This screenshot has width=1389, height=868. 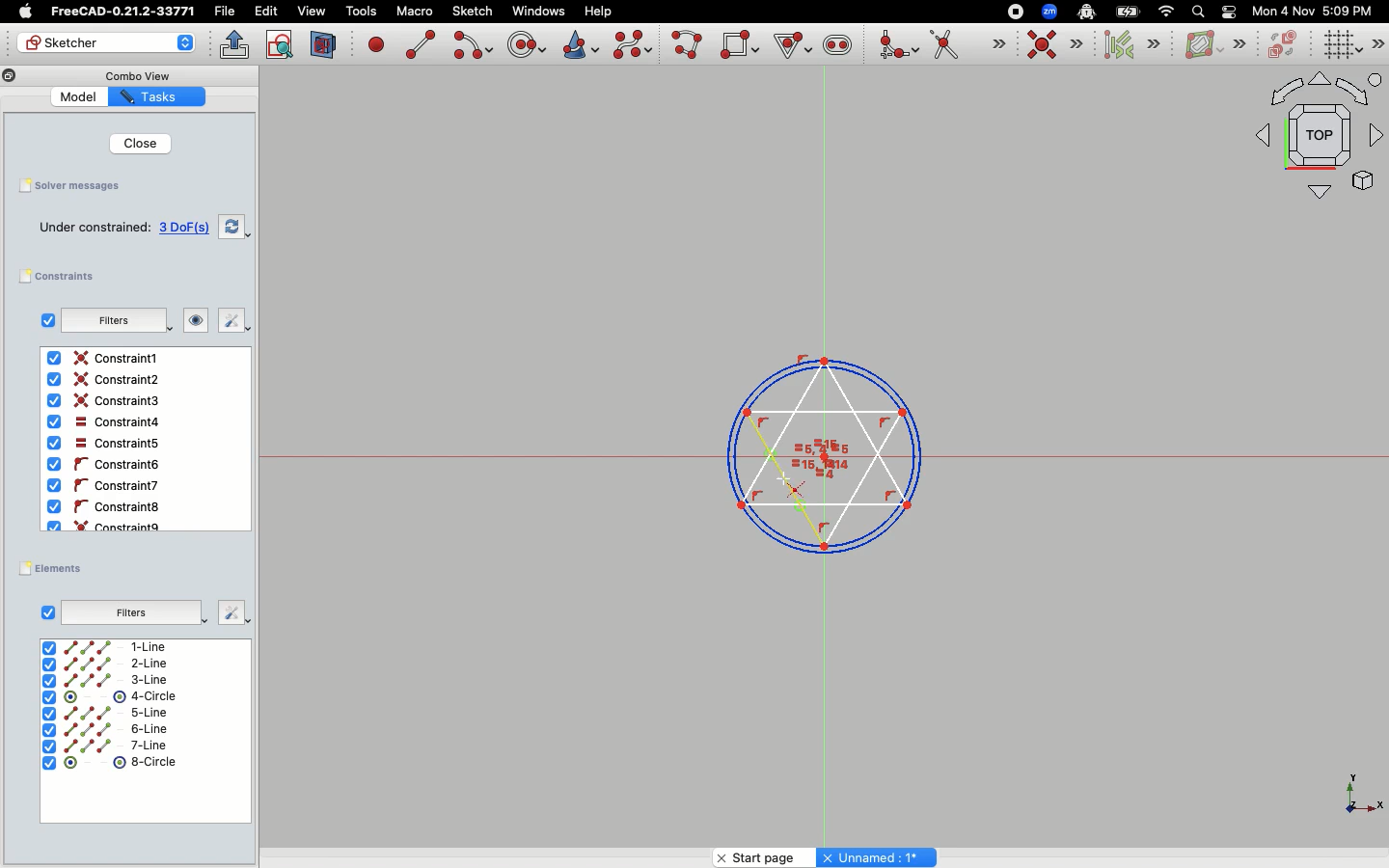 What do you see at coordinates (74, 185) in the screenshot?
I see `Solver messages` at bounding box center [74, 185].